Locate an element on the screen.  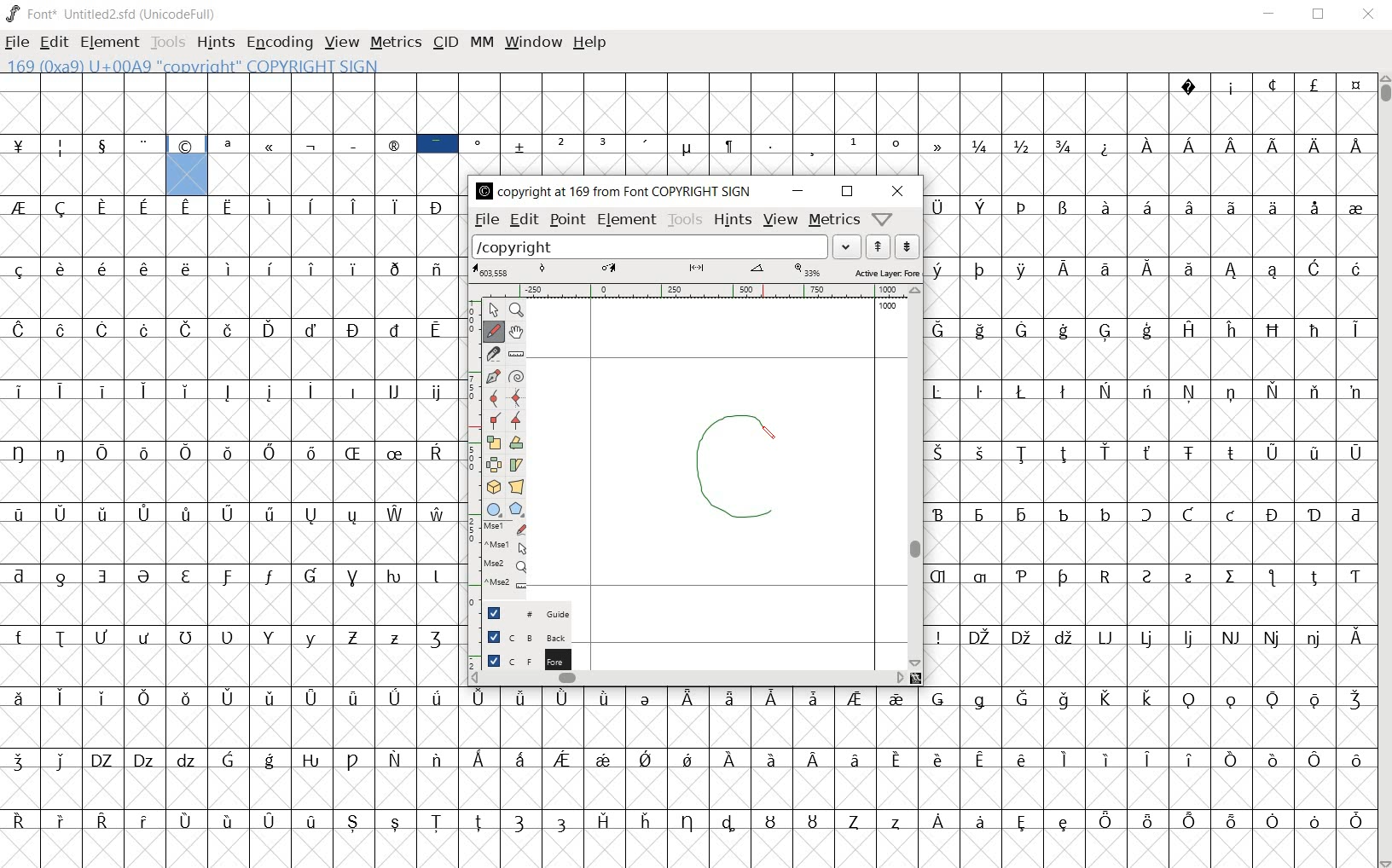
file is located at coordinates (485, 220).